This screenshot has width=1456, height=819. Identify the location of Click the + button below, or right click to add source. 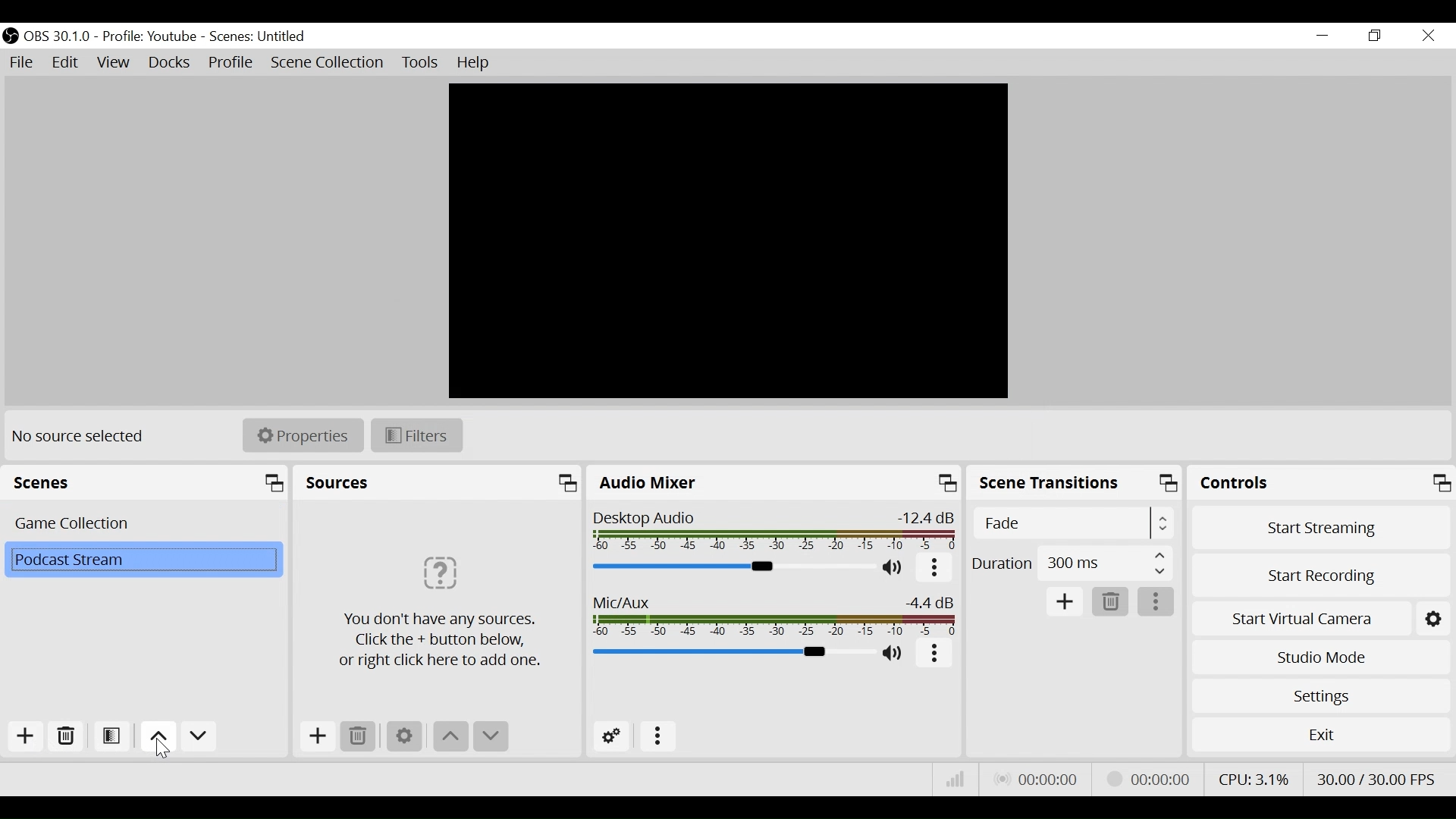
(446, 601).